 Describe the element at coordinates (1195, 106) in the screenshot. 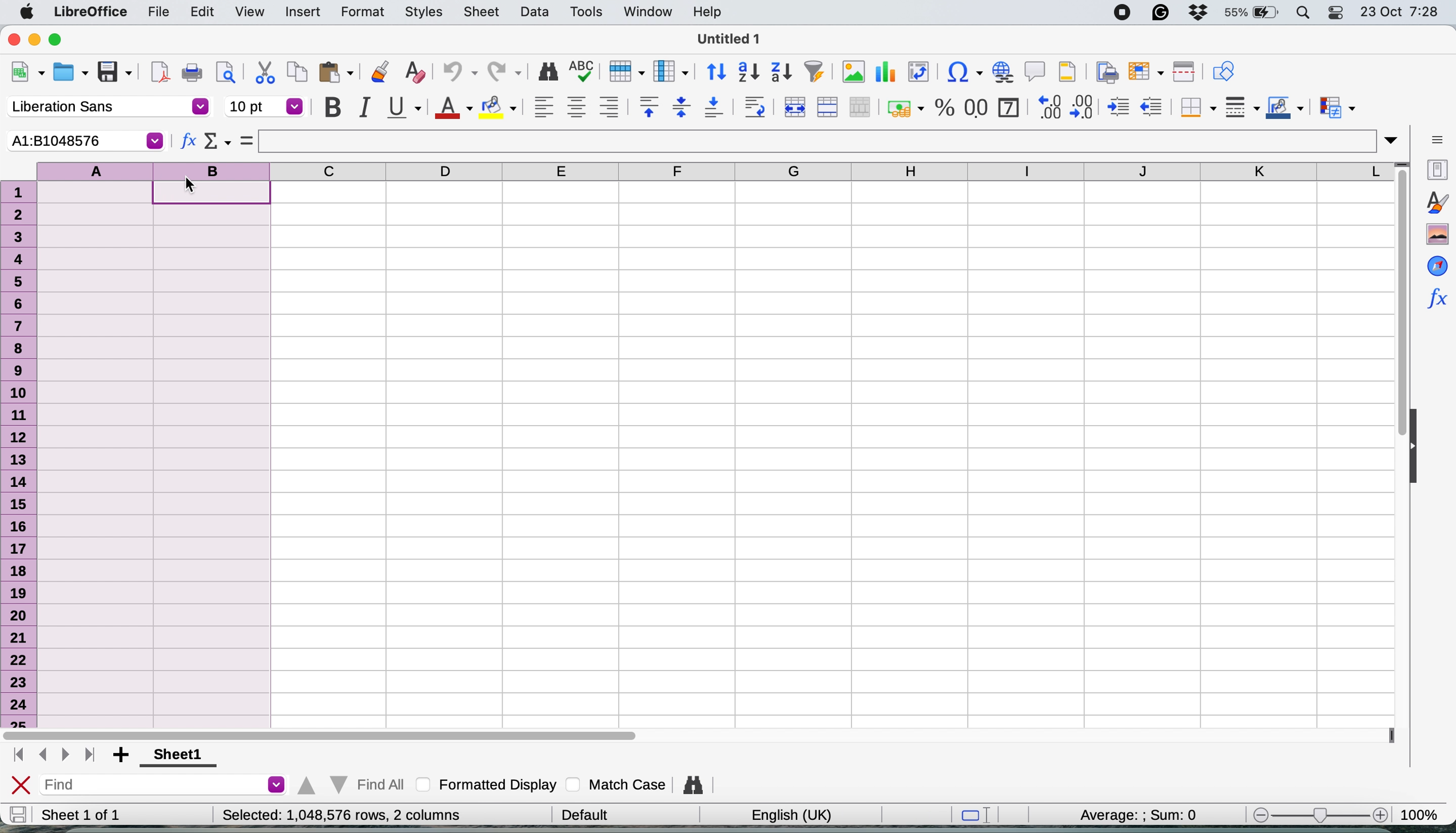

I see `borders` at that location.